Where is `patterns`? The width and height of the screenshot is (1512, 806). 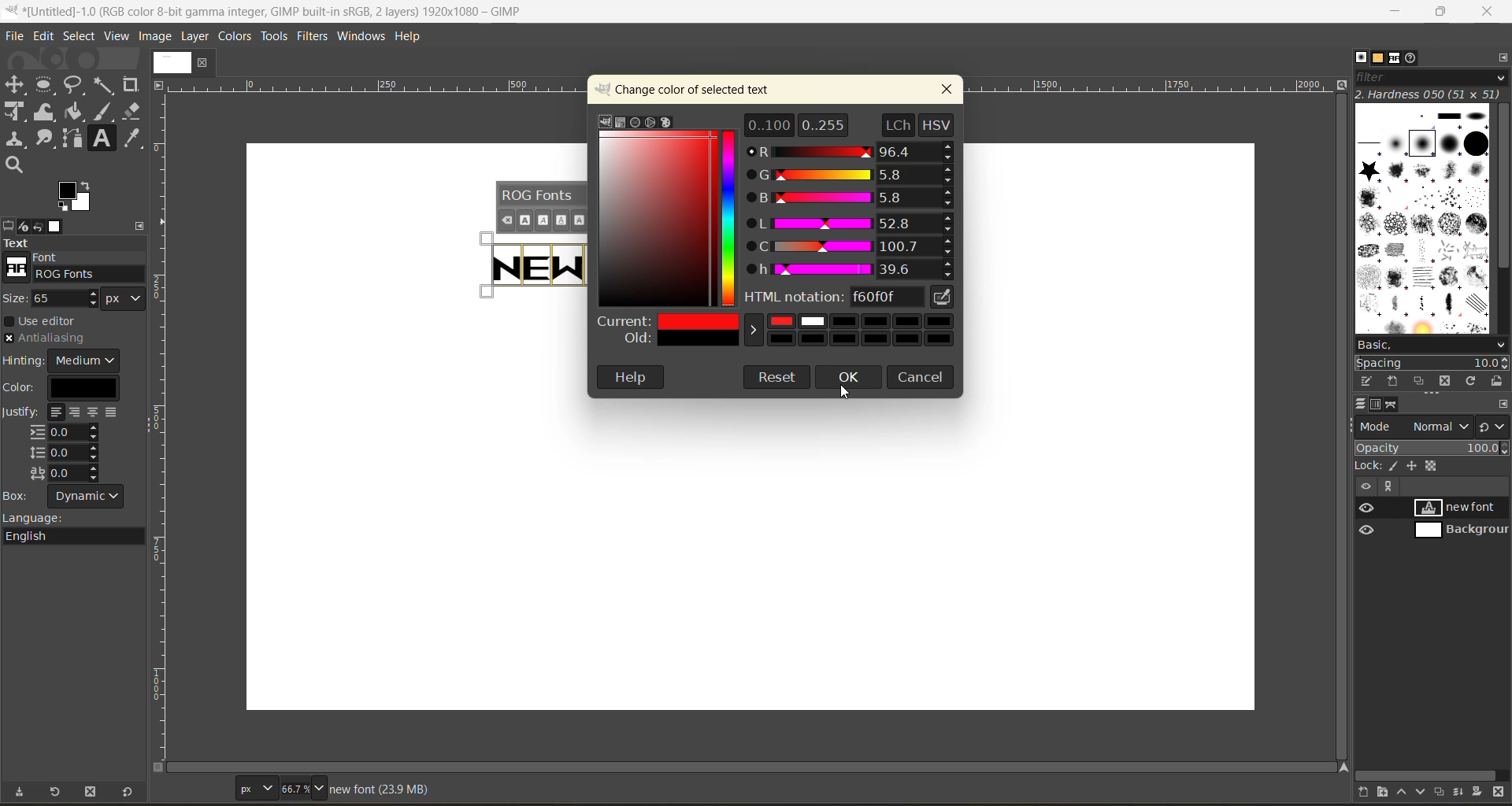
patterns is located at coordinates (1378, 57).